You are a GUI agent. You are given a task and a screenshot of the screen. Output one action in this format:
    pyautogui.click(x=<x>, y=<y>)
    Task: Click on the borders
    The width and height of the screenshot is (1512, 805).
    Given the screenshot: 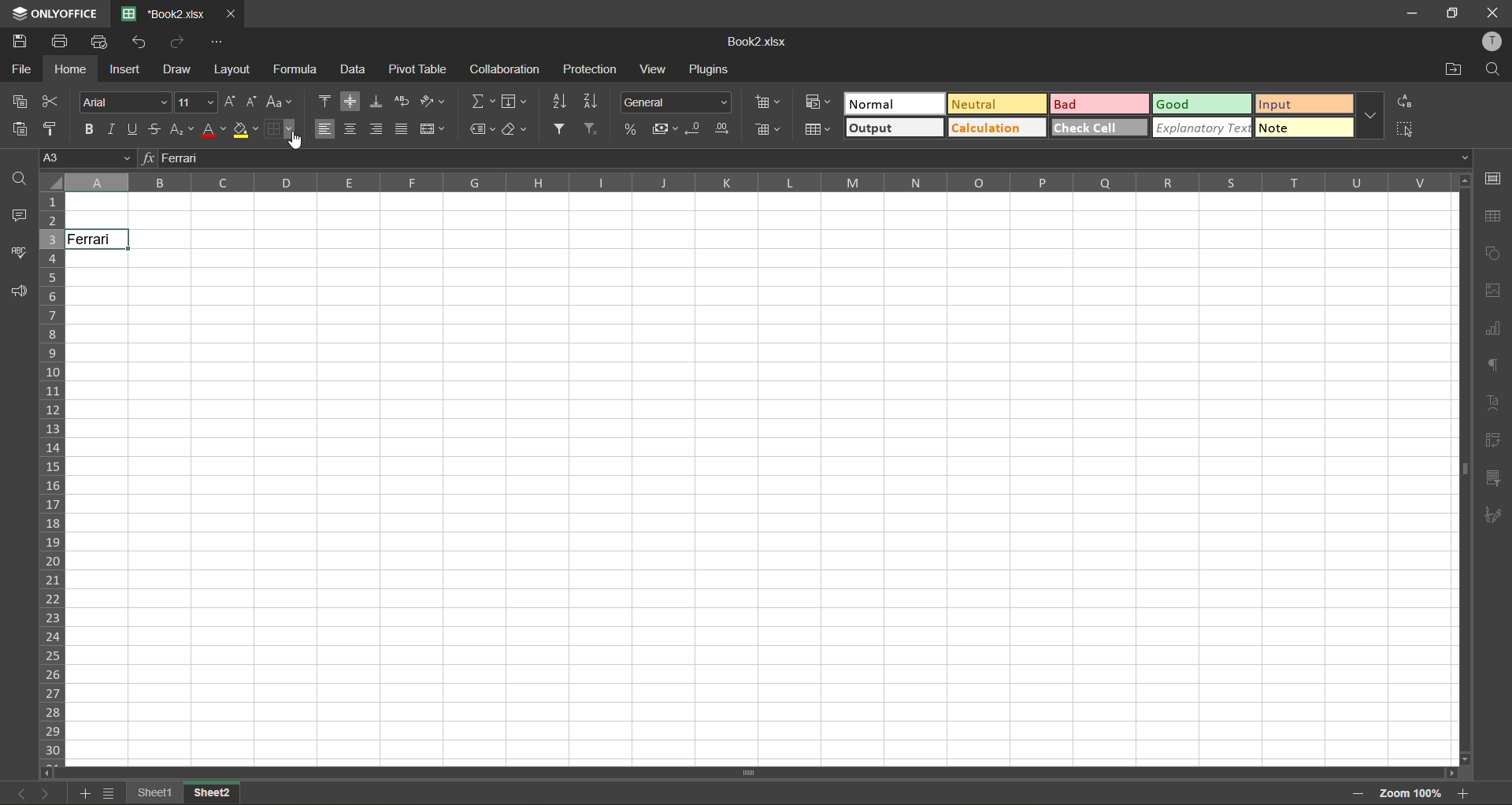 What is the action you would take?
    pyautogui.click(x=280, y=129)
    